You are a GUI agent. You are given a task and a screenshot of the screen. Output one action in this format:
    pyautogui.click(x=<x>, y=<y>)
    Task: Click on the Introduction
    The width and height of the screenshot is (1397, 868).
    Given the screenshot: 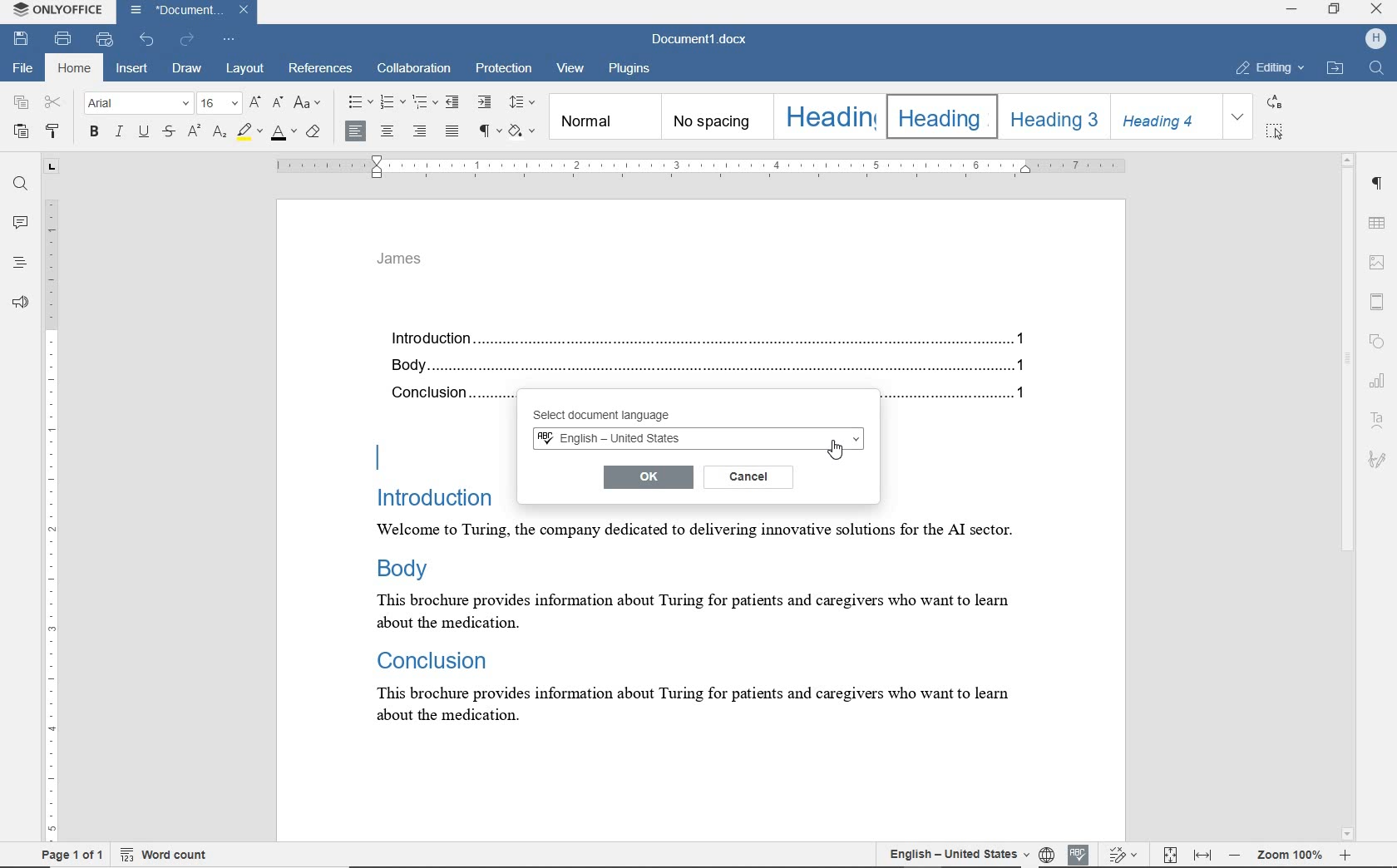 What is the action you would take?
    pyautogui.click(x=427, y=497)
    